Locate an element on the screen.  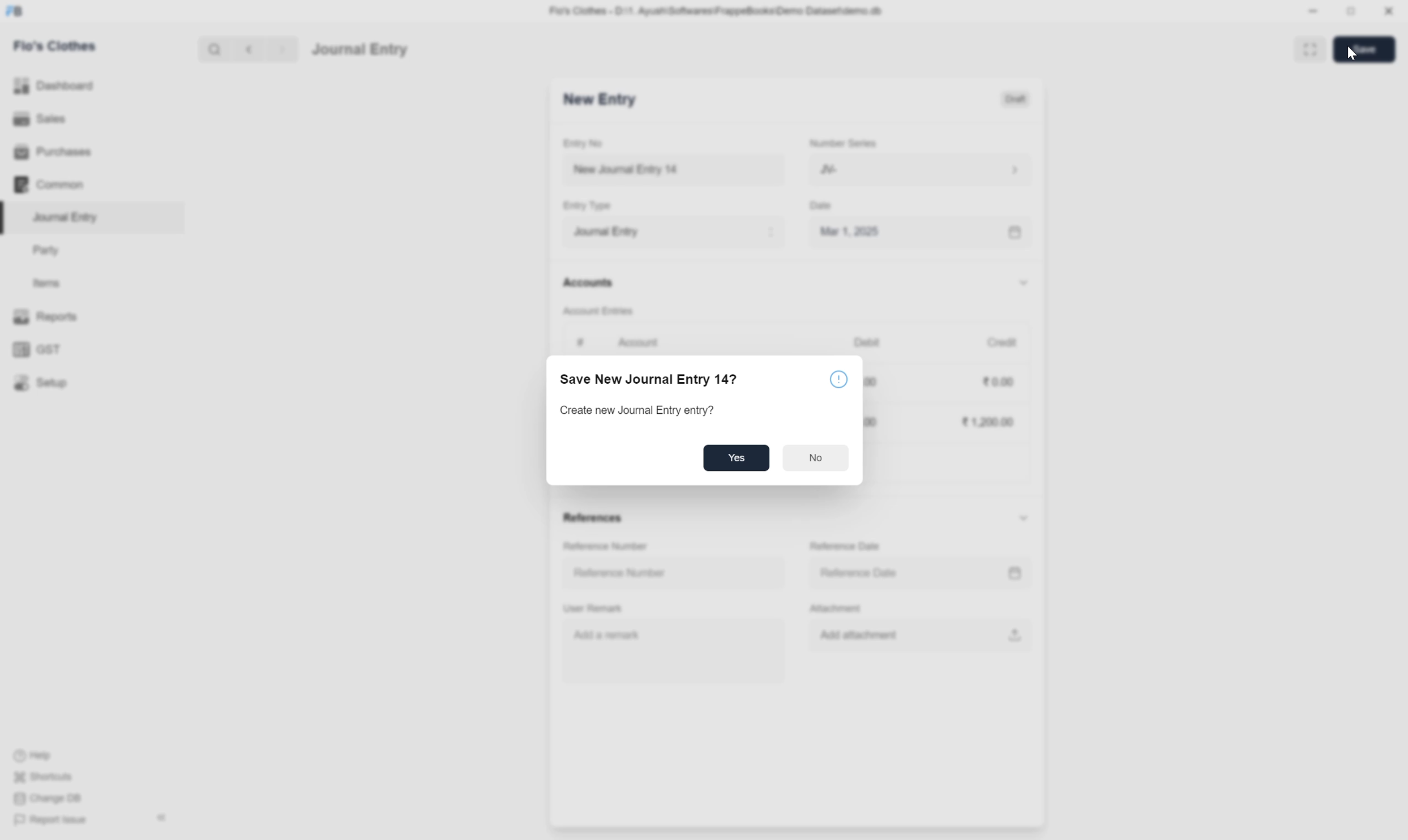
Change DB is located at coordinates (48, 798).